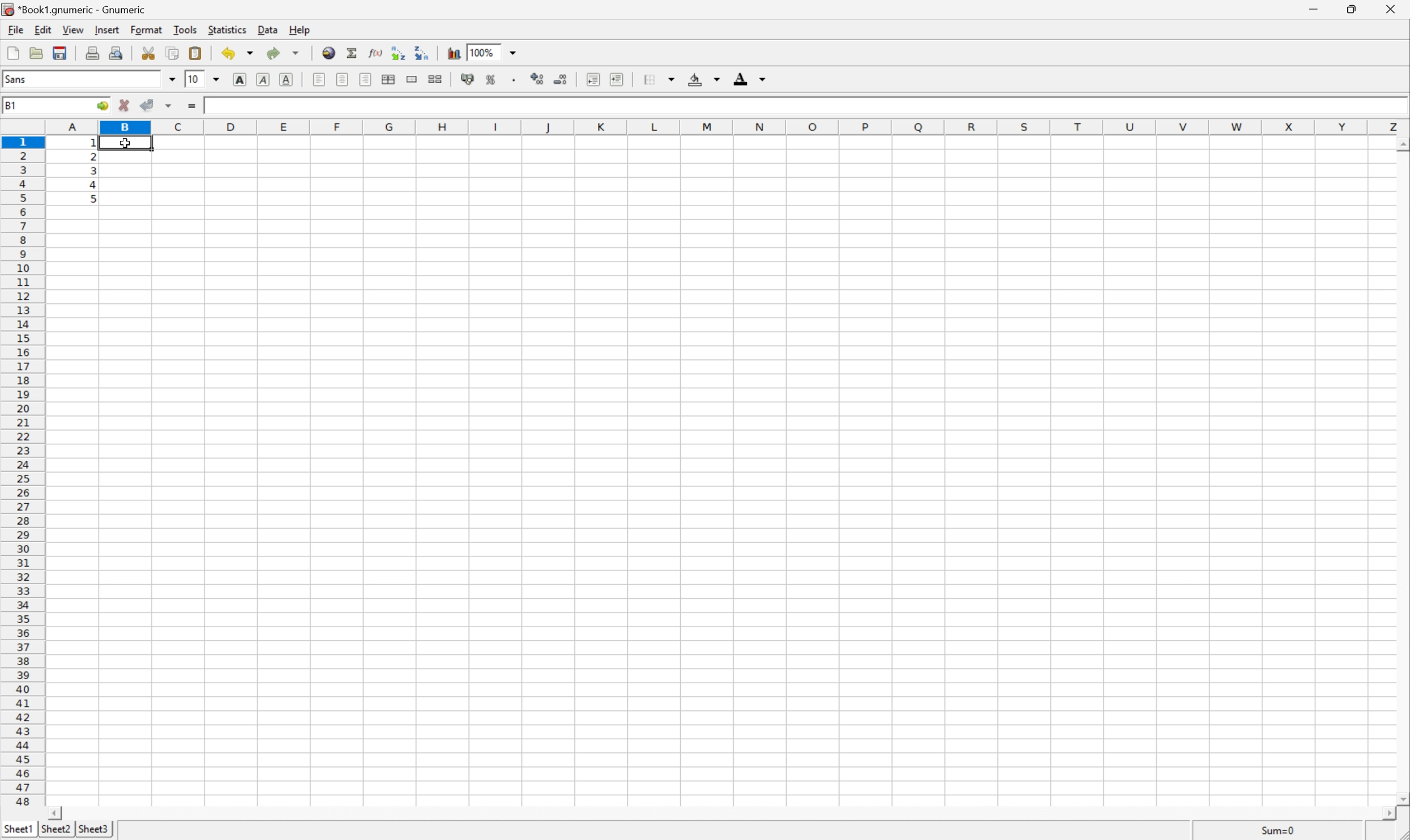 This screenshot has width=1410, height=840. Describe the element at coordinates (147, 106) in the screenshot. I see `Accept changes` at that location.